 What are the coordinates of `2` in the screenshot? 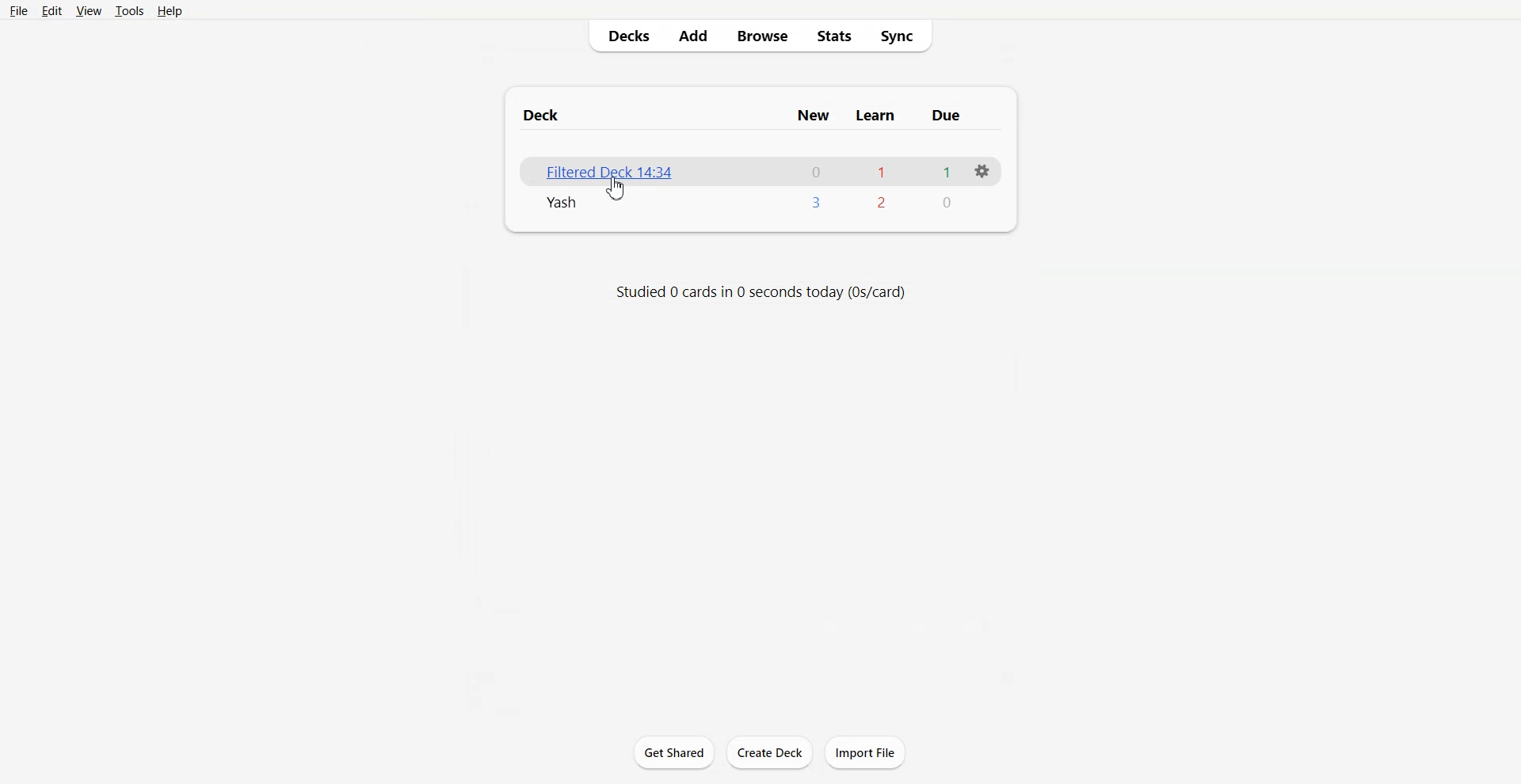 It's located at (882, 202).